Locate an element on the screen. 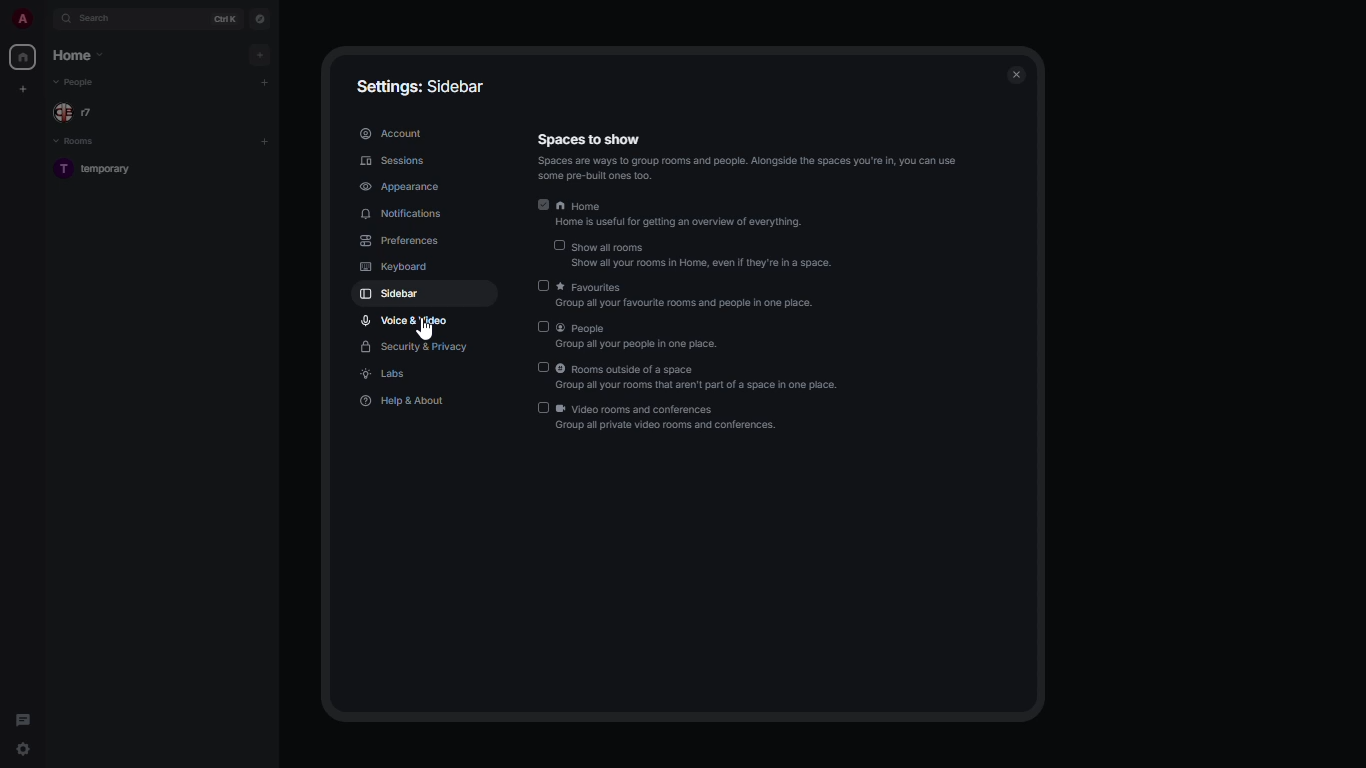  people is located at coordinates (78, 112).